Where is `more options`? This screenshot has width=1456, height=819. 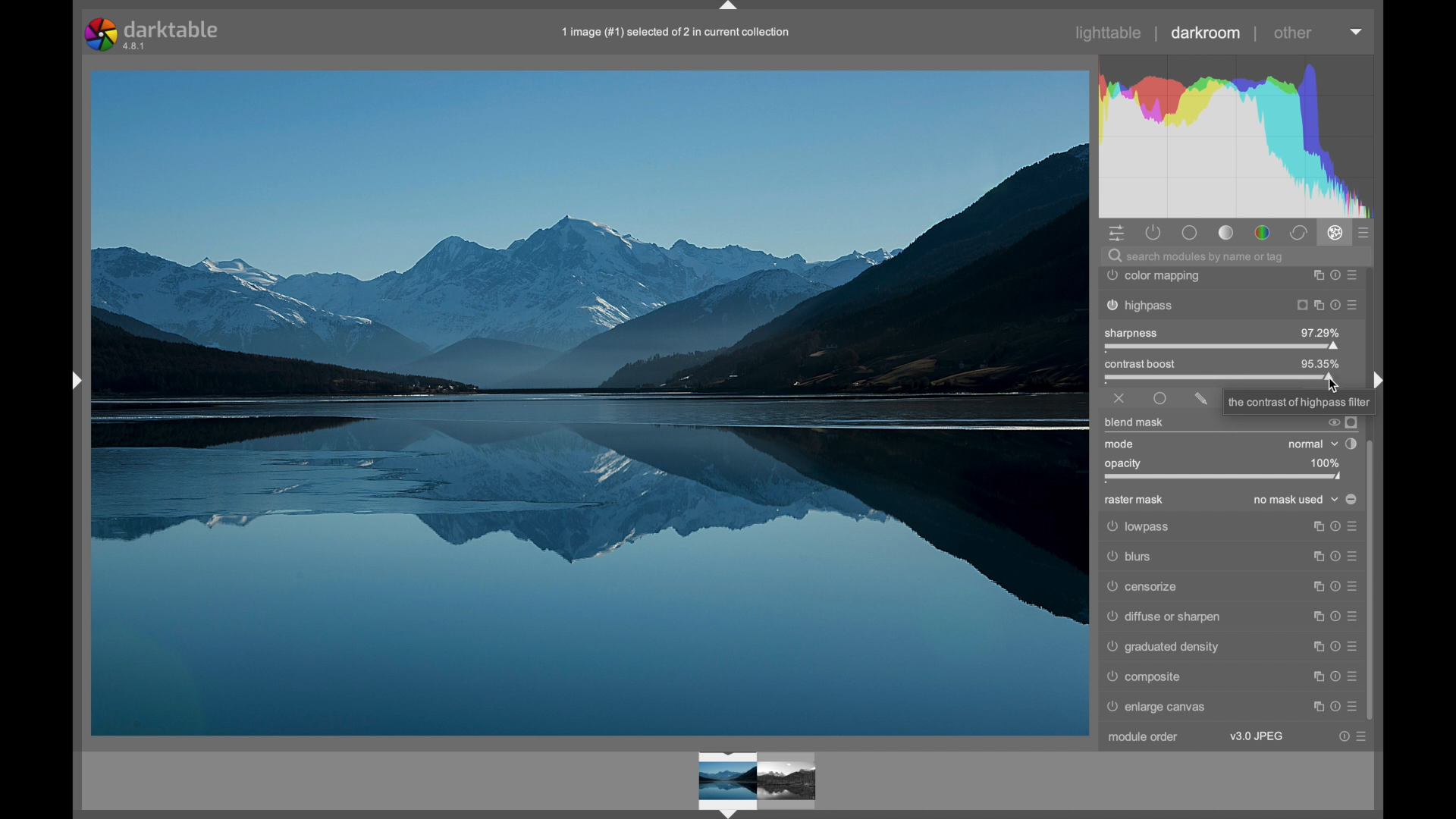
more options is located at coordinates (1351, 737).